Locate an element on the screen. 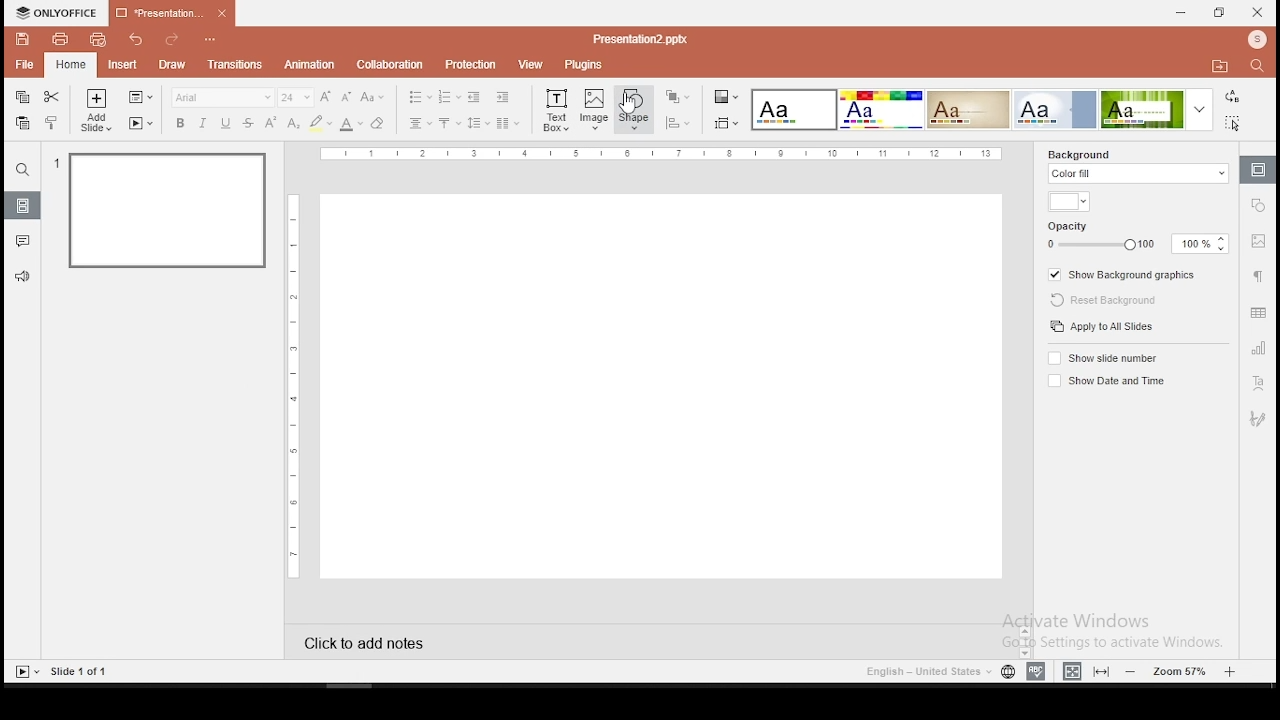 The width and height of the screenshot is (1280, 720). file is located at coordinates (26, 64).